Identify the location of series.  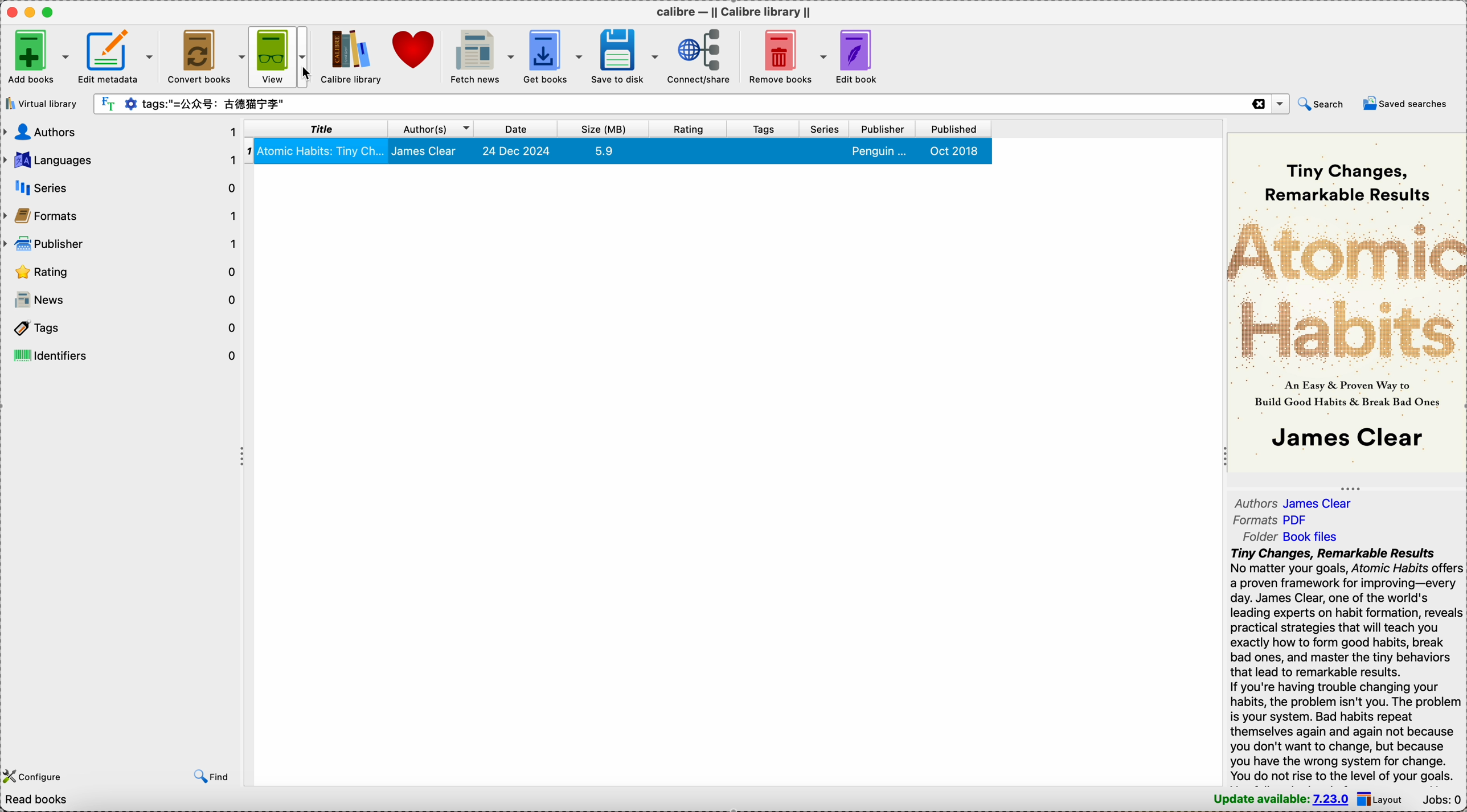
(826, 128).